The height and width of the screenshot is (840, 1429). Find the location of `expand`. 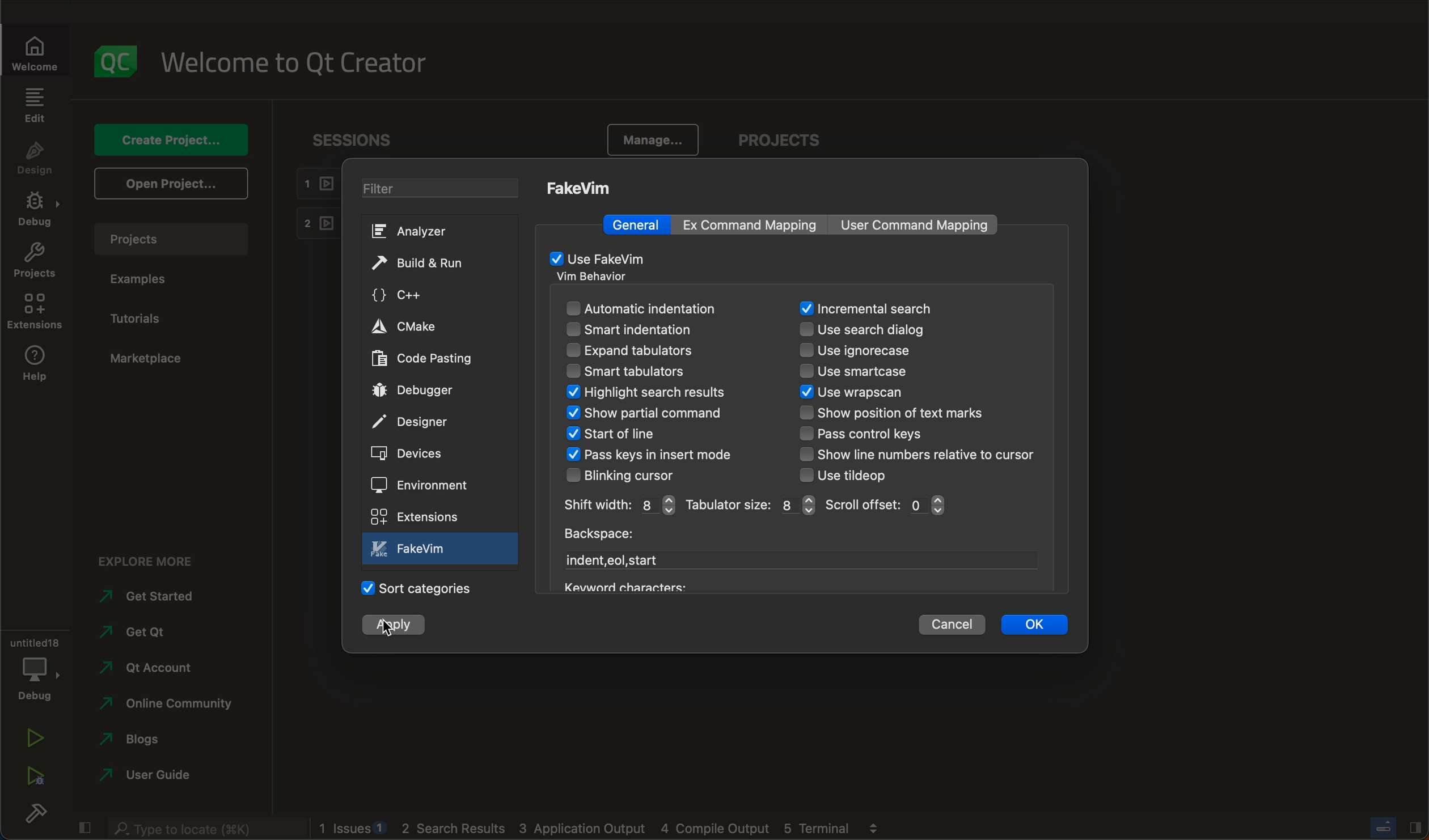

expand is located at coordinates (654, 352).